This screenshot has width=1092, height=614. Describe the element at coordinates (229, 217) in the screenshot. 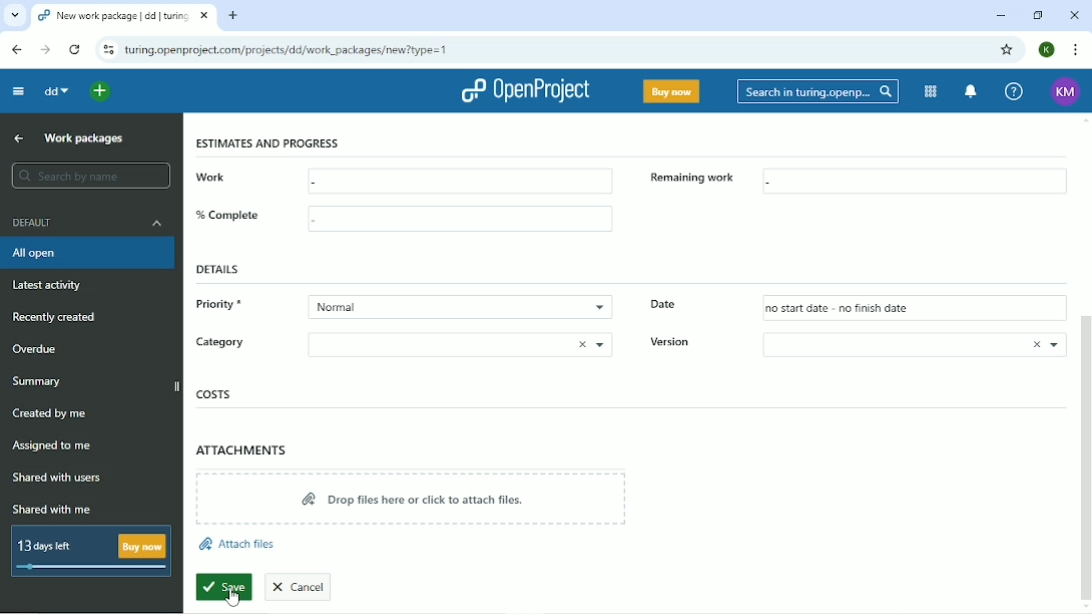

I see `%complete` at that location.